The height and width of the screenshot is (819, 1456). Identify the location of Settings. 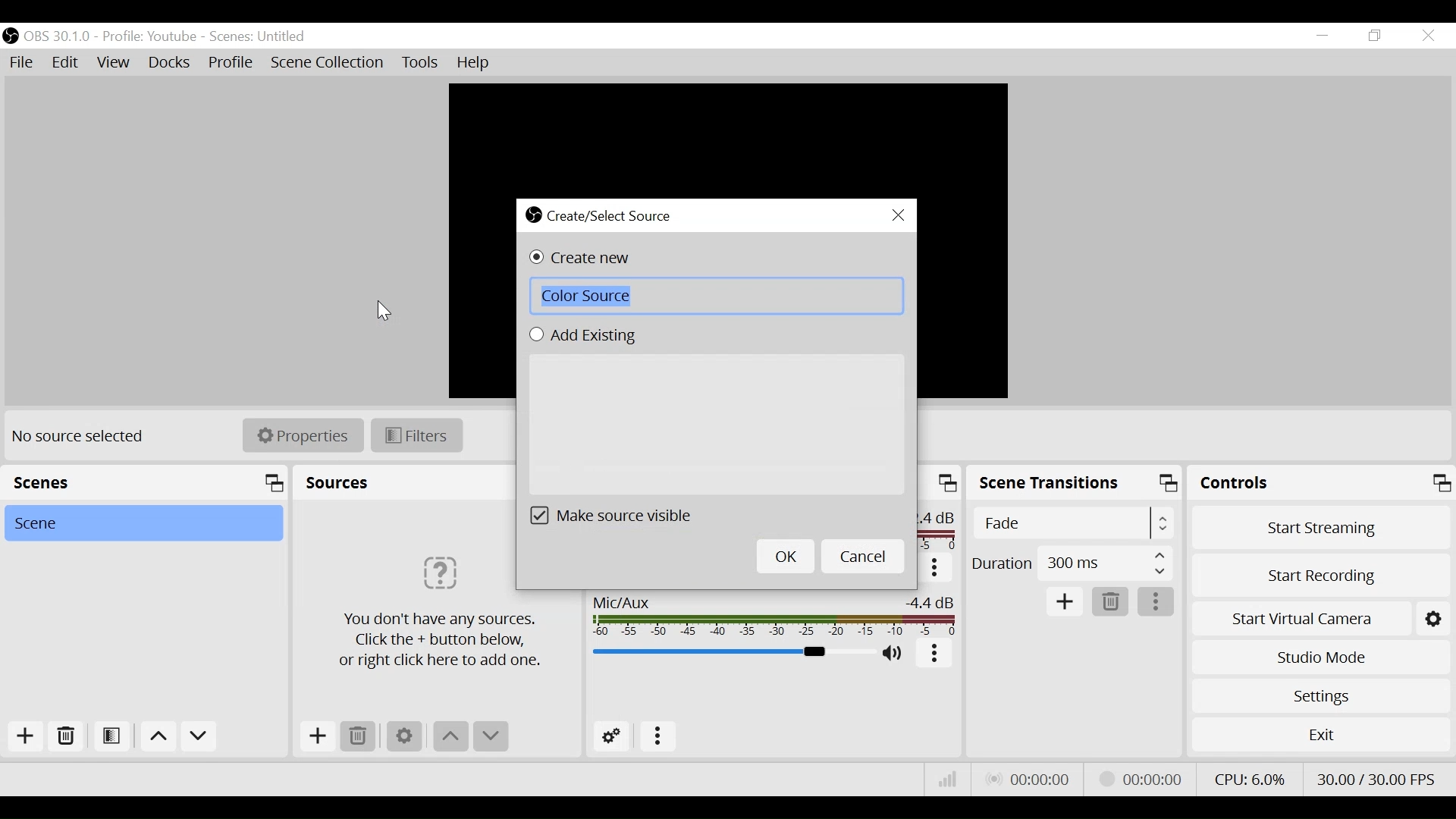
(403, 736).